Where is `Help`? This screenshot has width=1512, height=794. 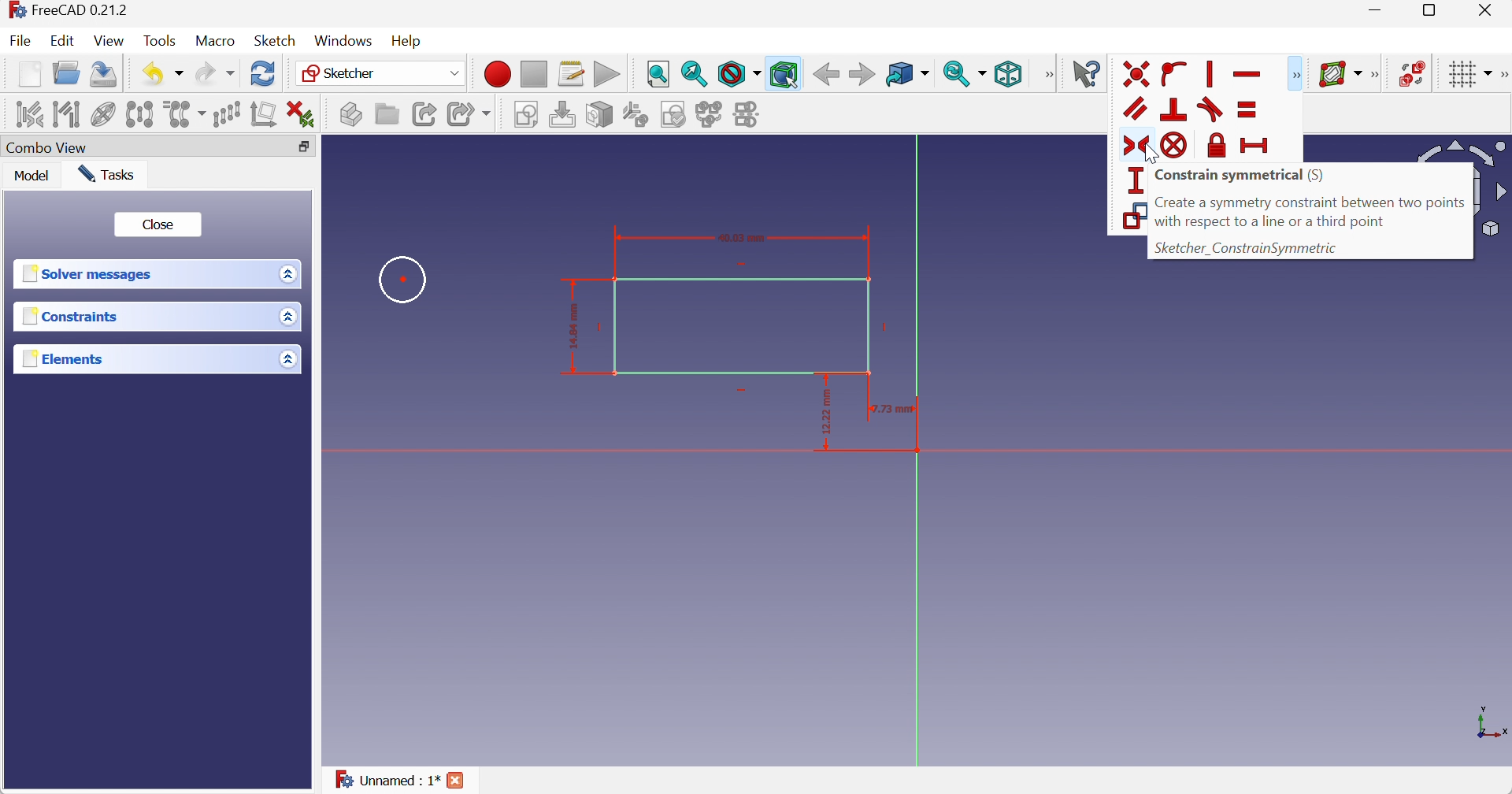 Help is located at coordinates (408, 42).